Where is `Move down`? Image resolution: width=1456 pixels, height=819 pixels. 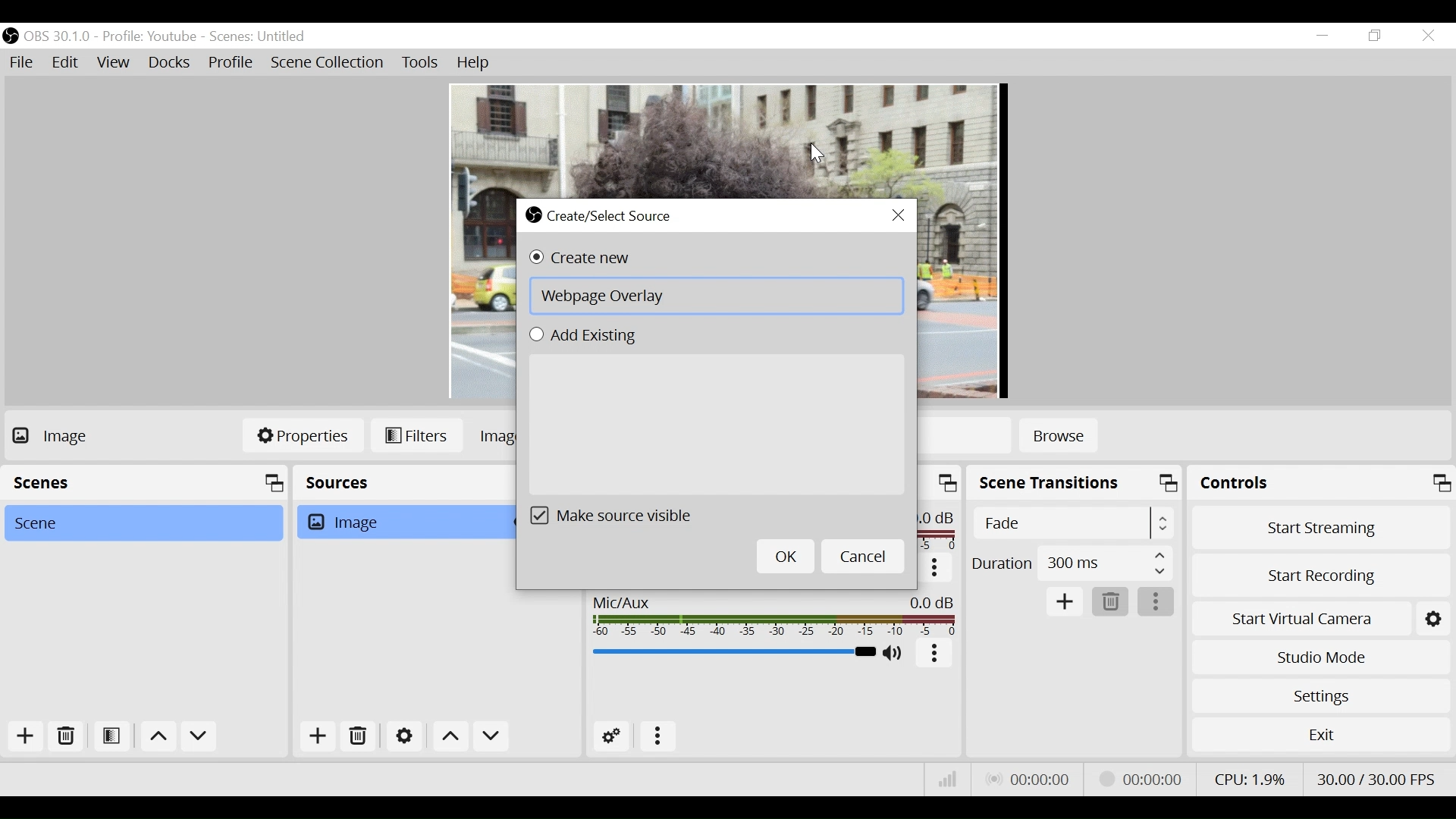
Move down is located at coordinates (491, 736).